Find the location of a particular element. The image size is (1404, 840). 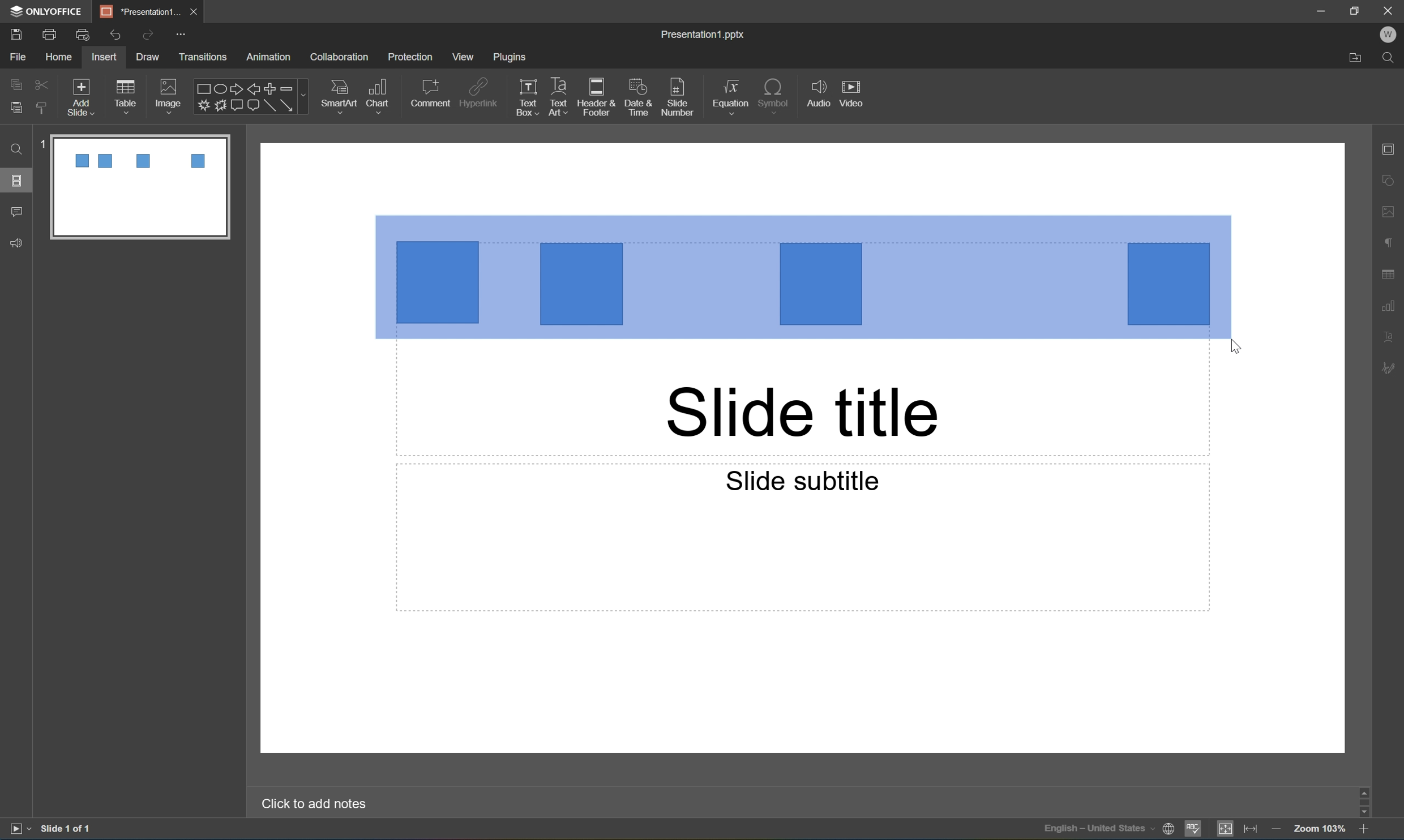

minimize is located at coordinates (1320, 9).